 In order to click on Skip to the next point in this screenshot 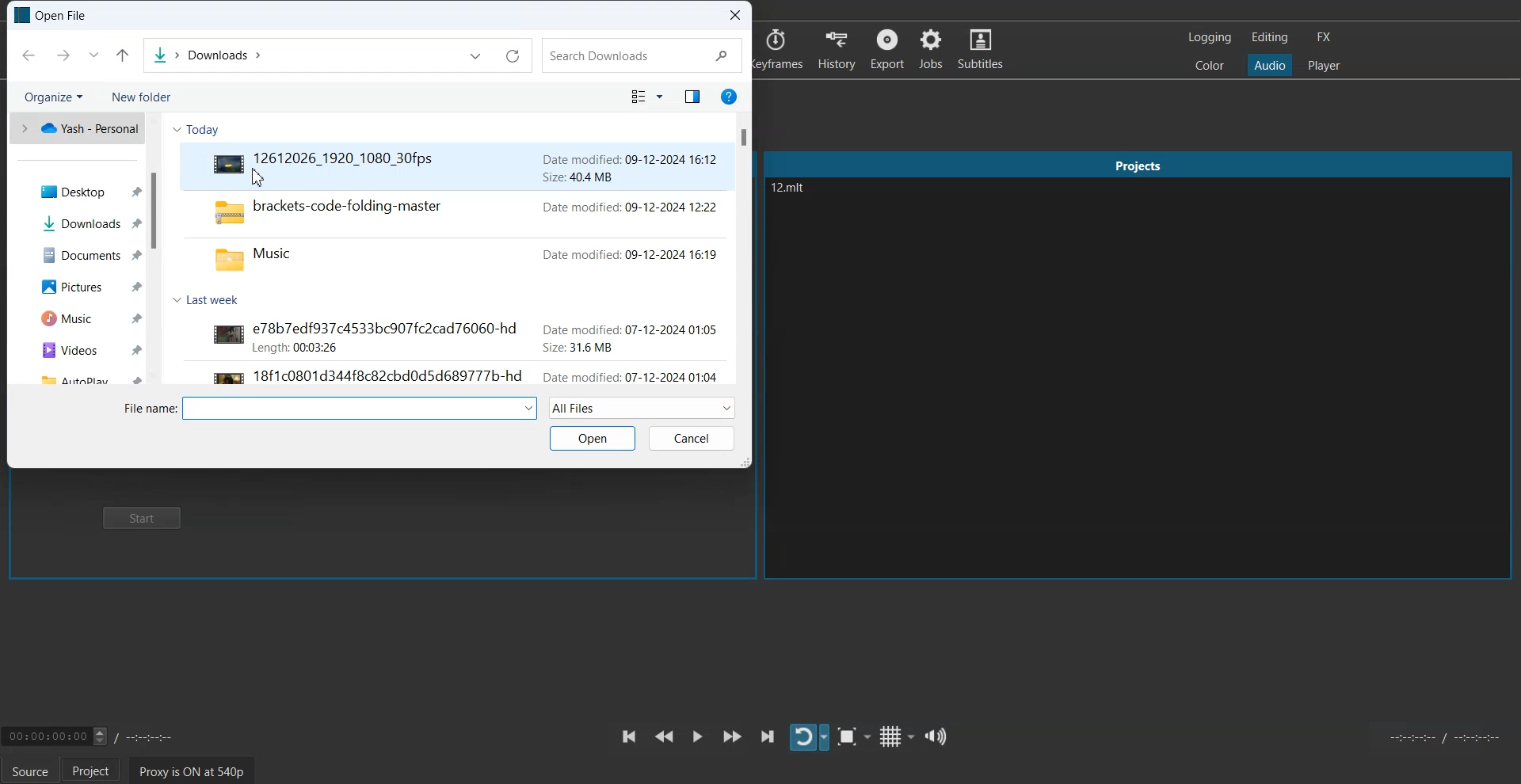, I will do `click(768, 736)`.